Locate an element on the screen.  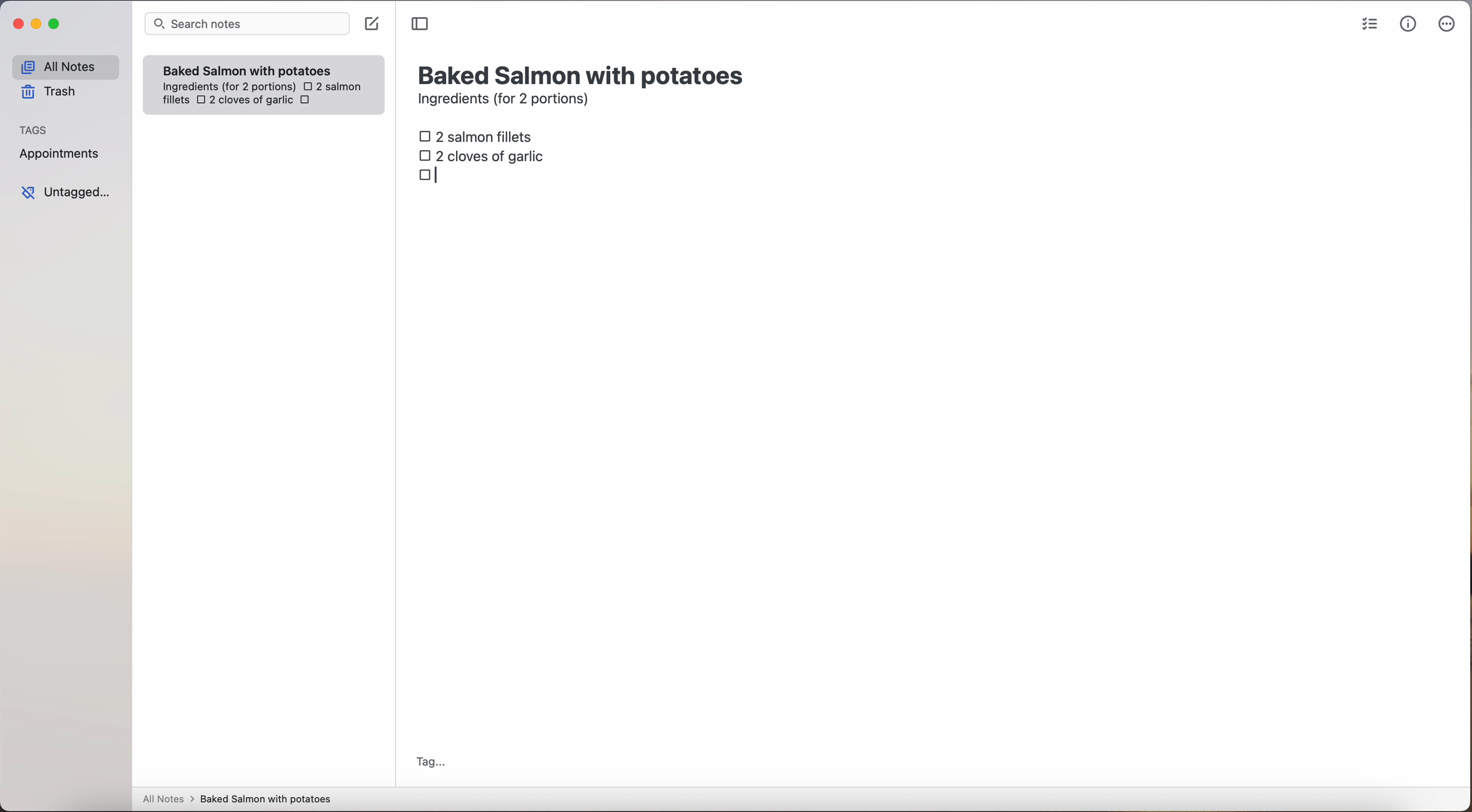
2 salmon is located at coordinates (331, 85).